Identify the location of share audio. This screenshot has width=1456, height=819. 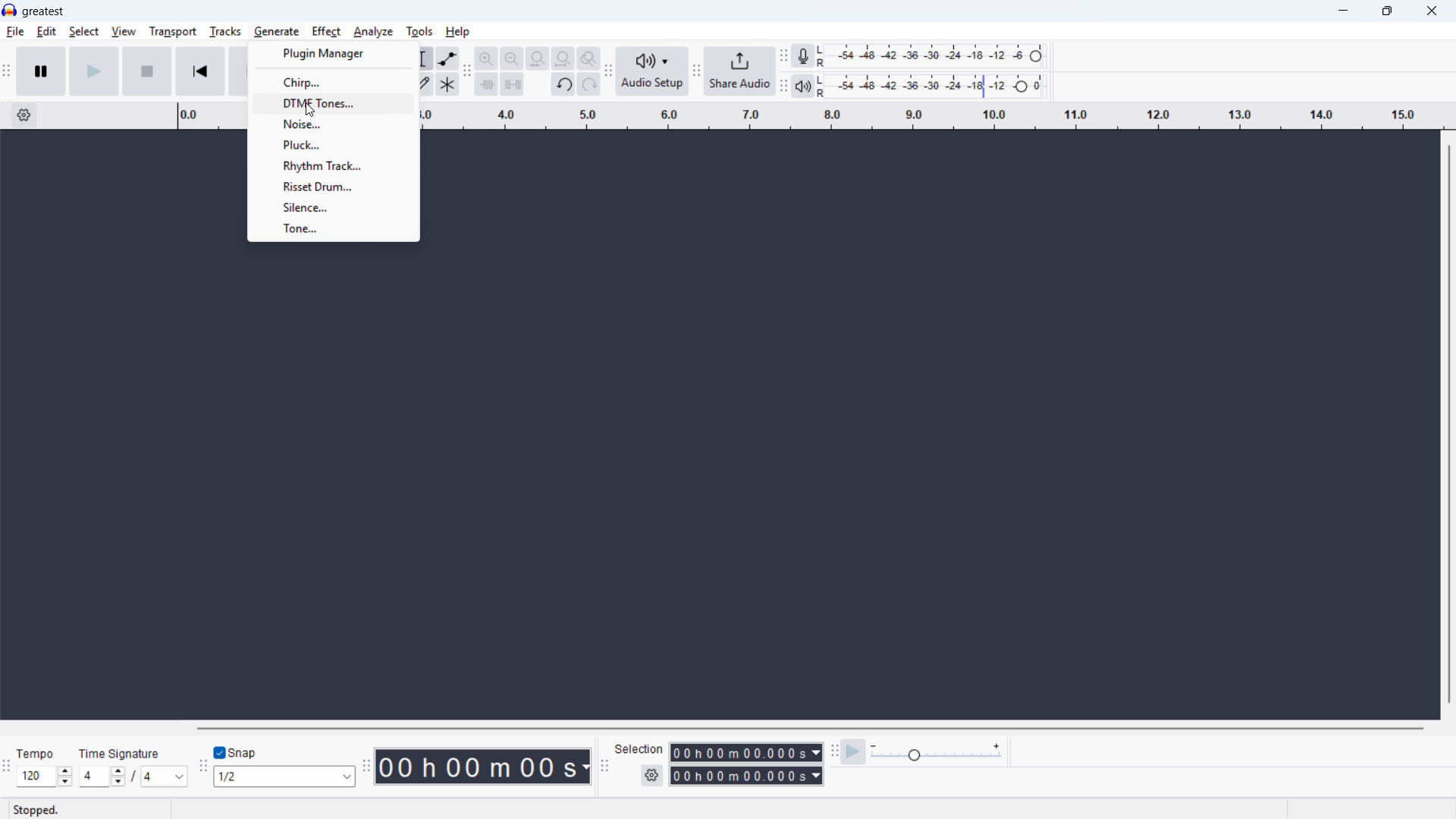
(739, 72).